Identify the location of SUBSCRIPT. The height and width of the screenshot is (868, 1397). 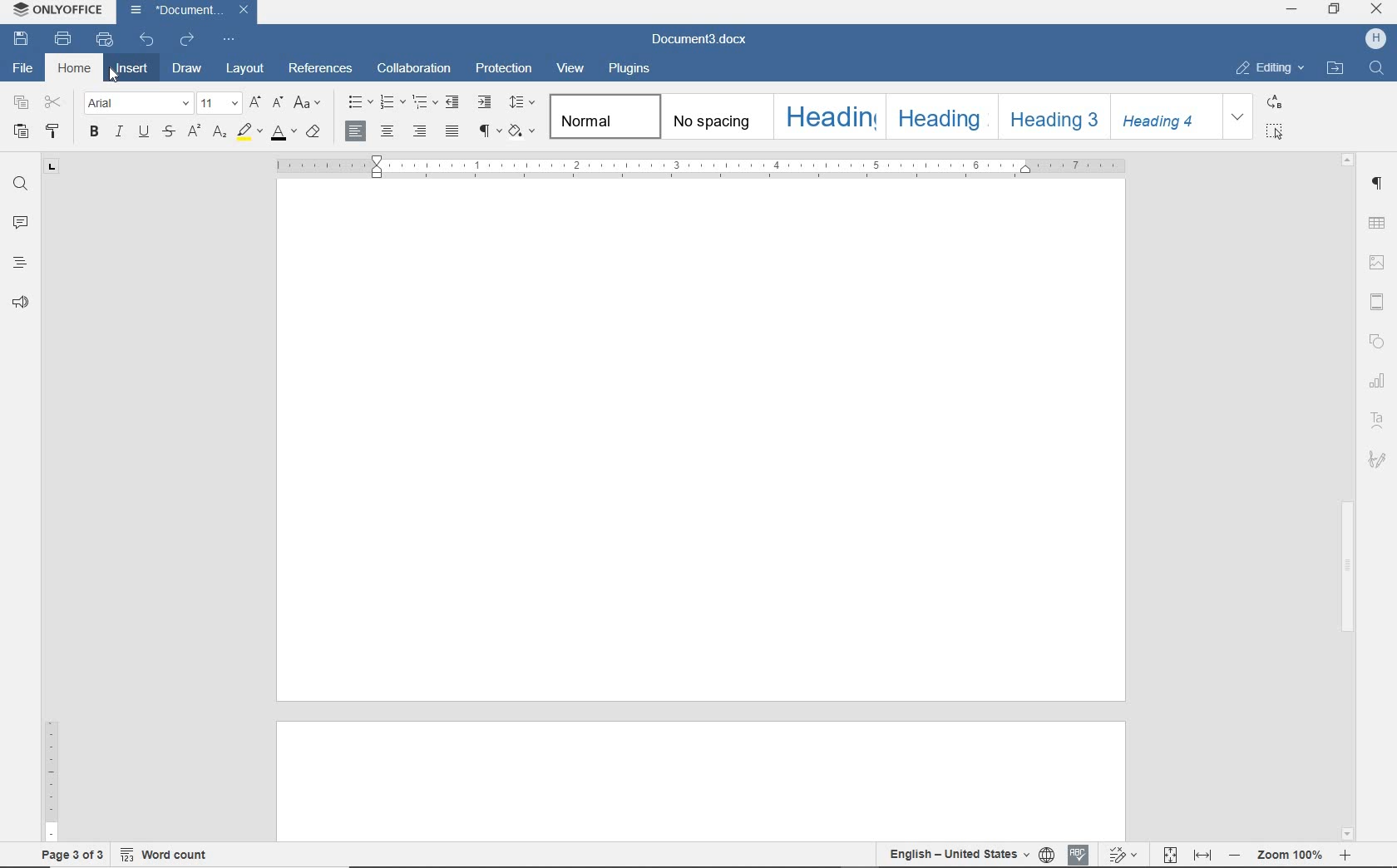
(219, 131).